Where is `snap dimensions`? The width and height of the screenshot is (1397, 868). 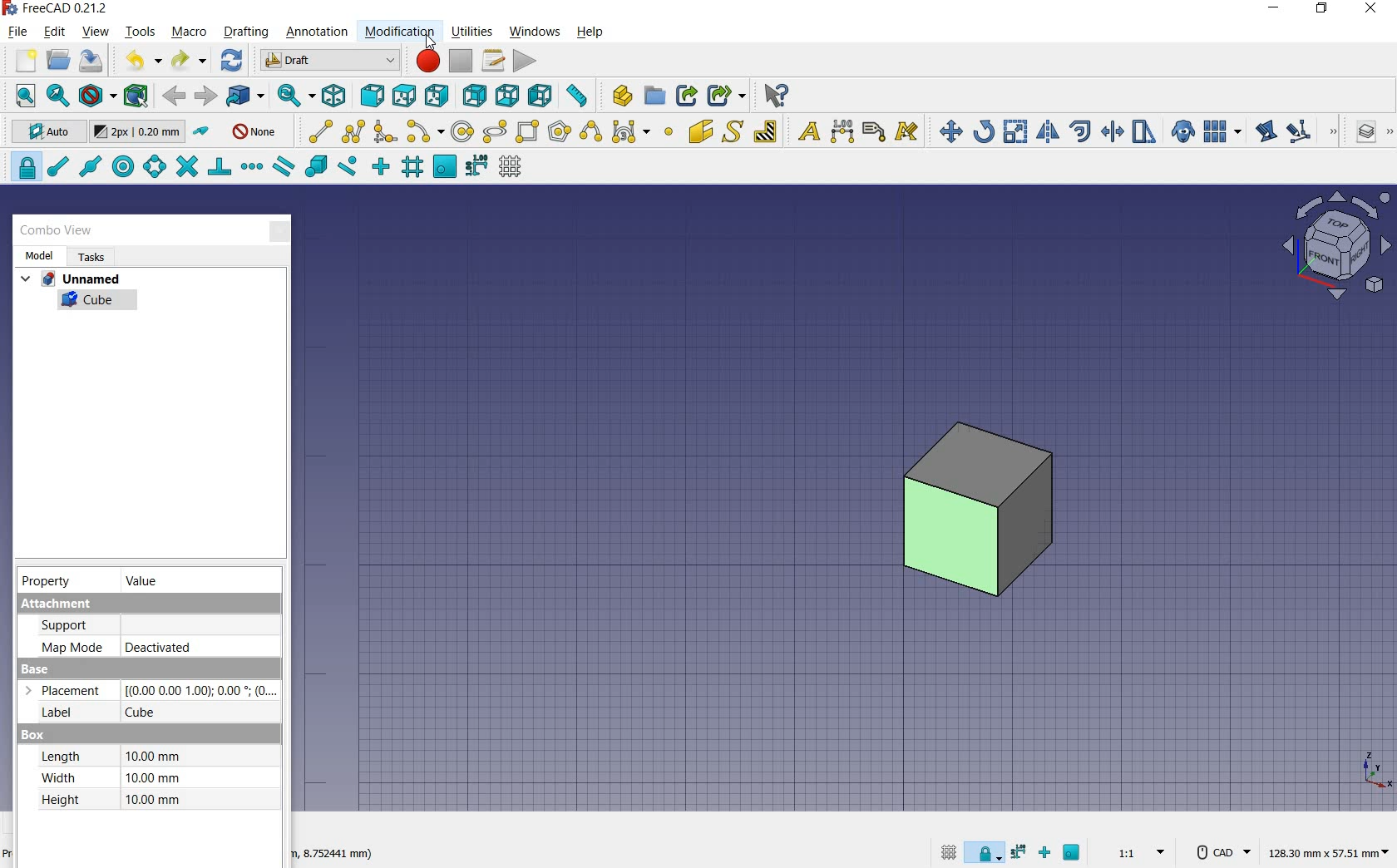 snap dimensions is located at coordinates (477, 167).